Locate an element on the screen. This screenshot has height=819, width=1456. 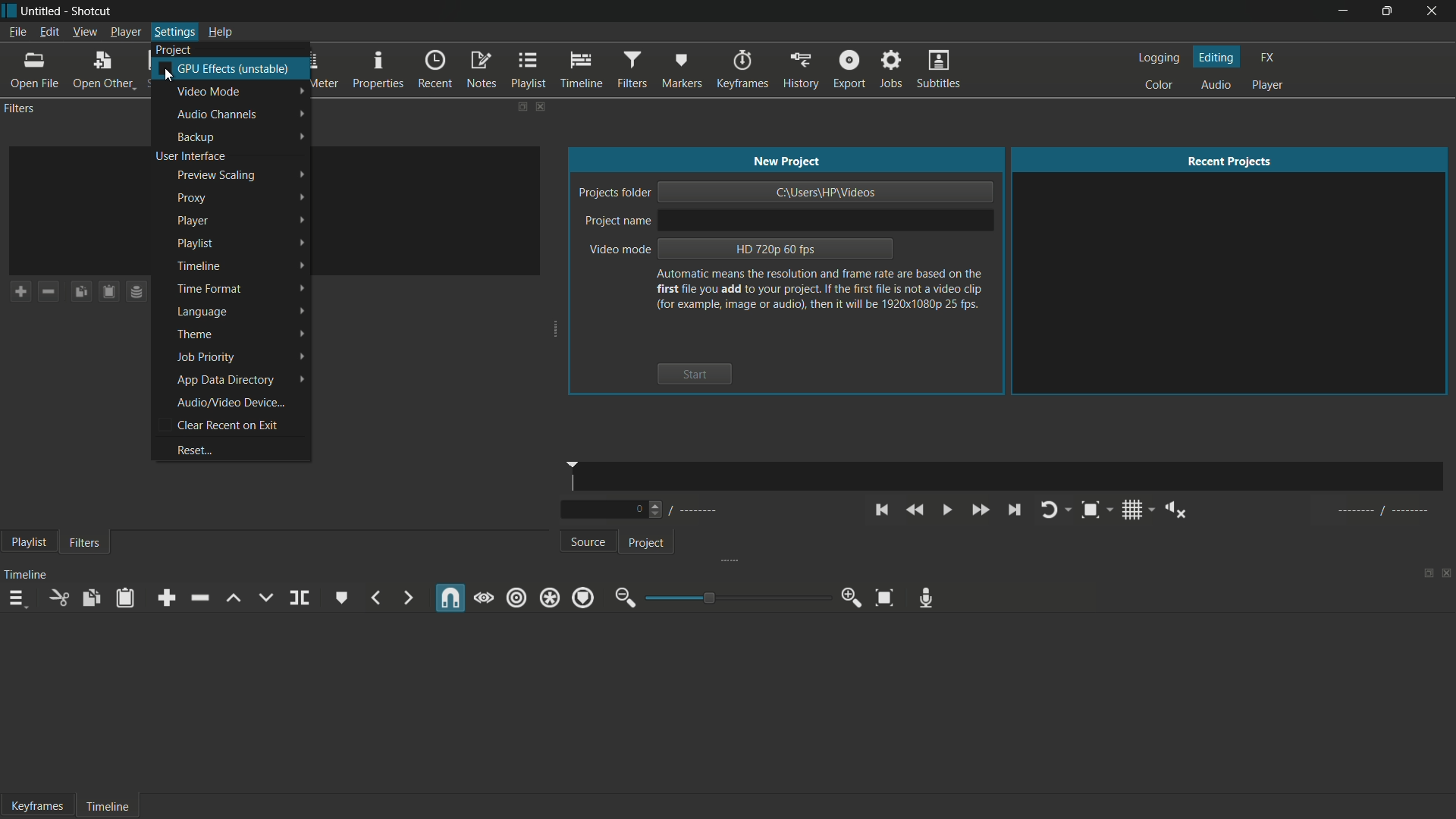
timeline is located at coordinates (580, 70).